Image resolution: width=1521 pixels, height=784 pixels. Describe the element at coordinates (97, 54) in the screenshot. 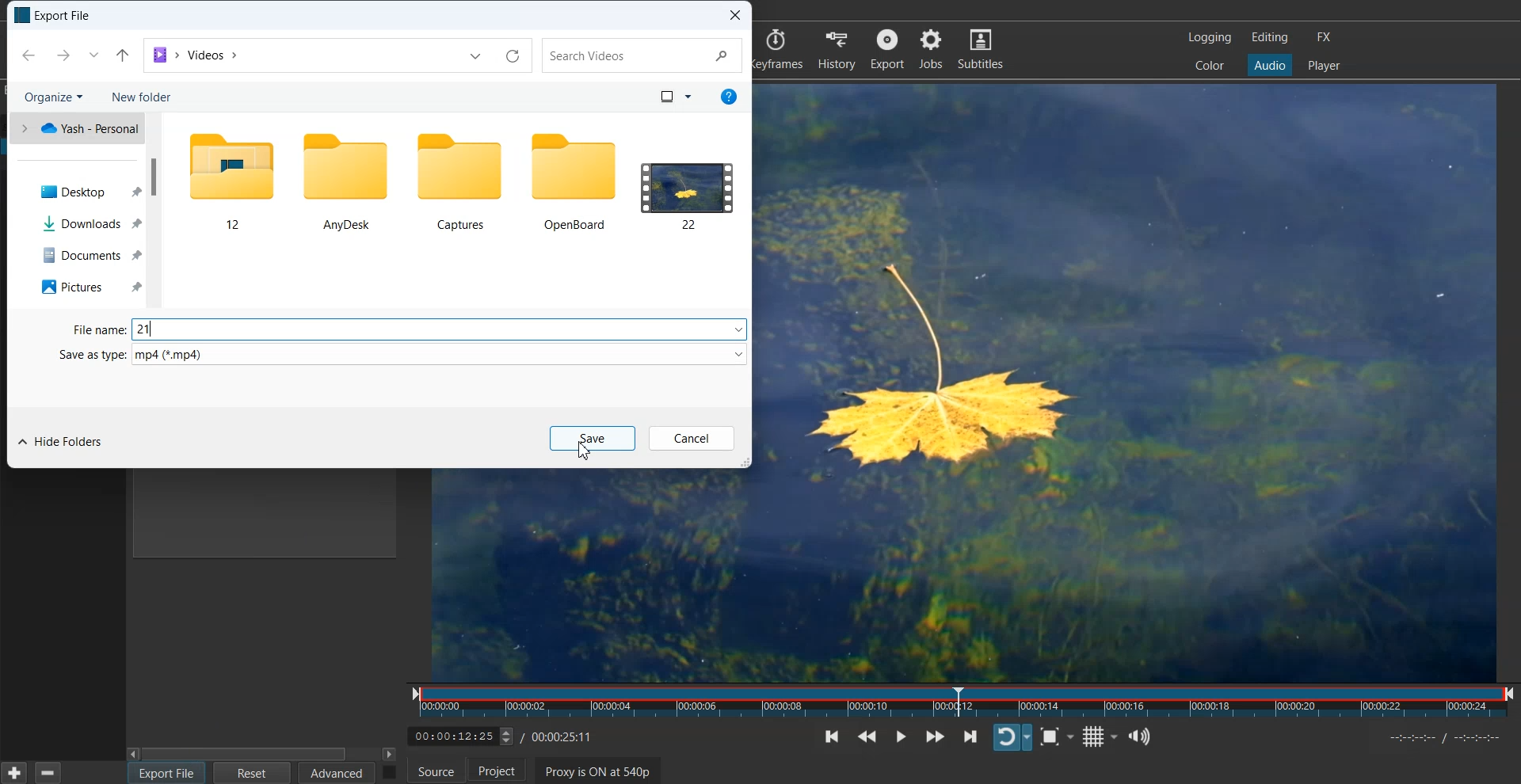

I see `dropdown` at that location.